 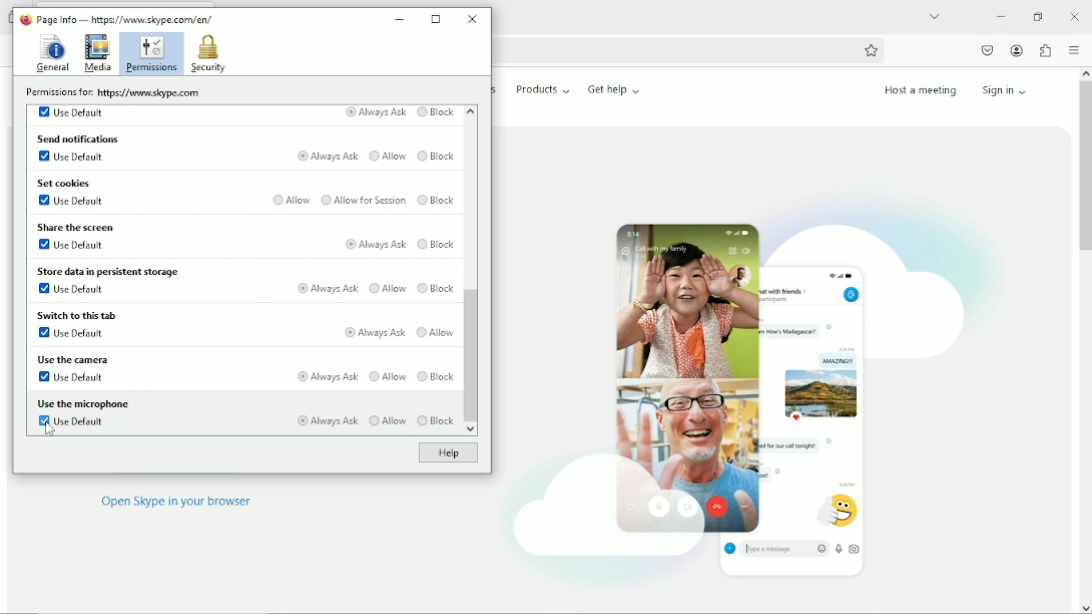 I want to click on Minimize, so click(x=401, y=16).